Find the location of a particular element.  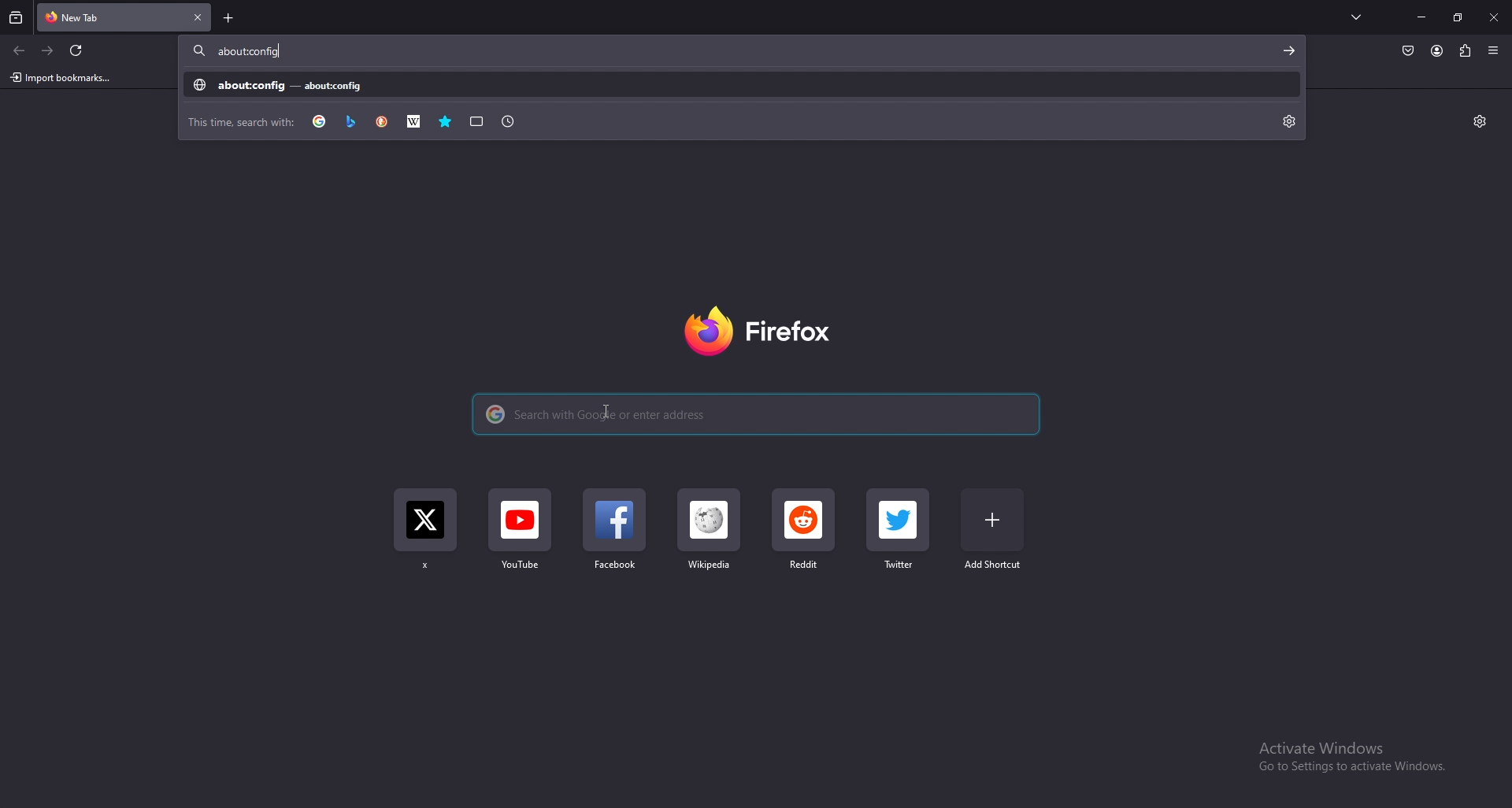

bing is located at coordinates (352, 121).